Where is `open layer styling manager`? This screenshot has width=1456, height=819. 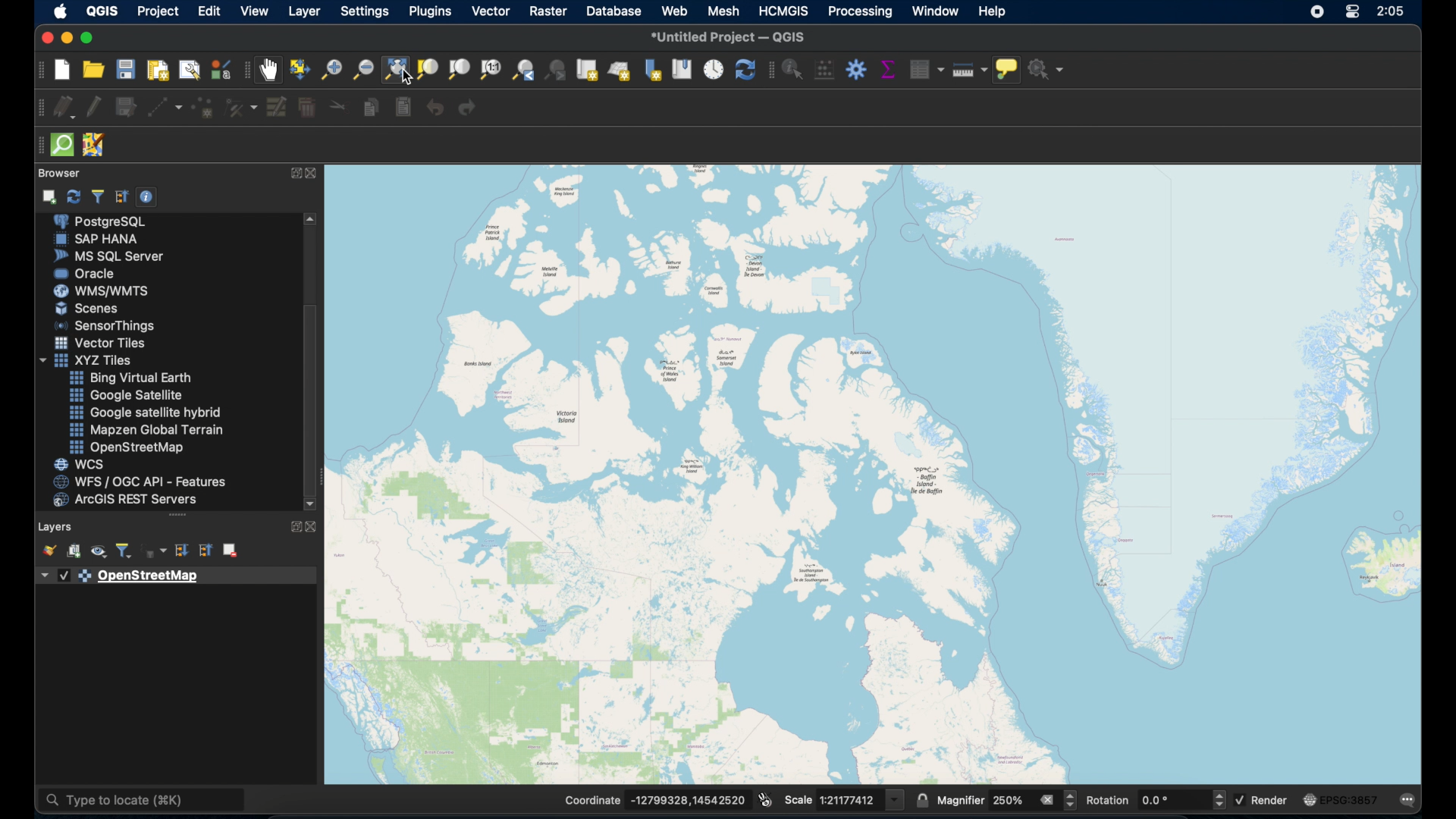
open layer styling manager is located at coordinates (49, 548).